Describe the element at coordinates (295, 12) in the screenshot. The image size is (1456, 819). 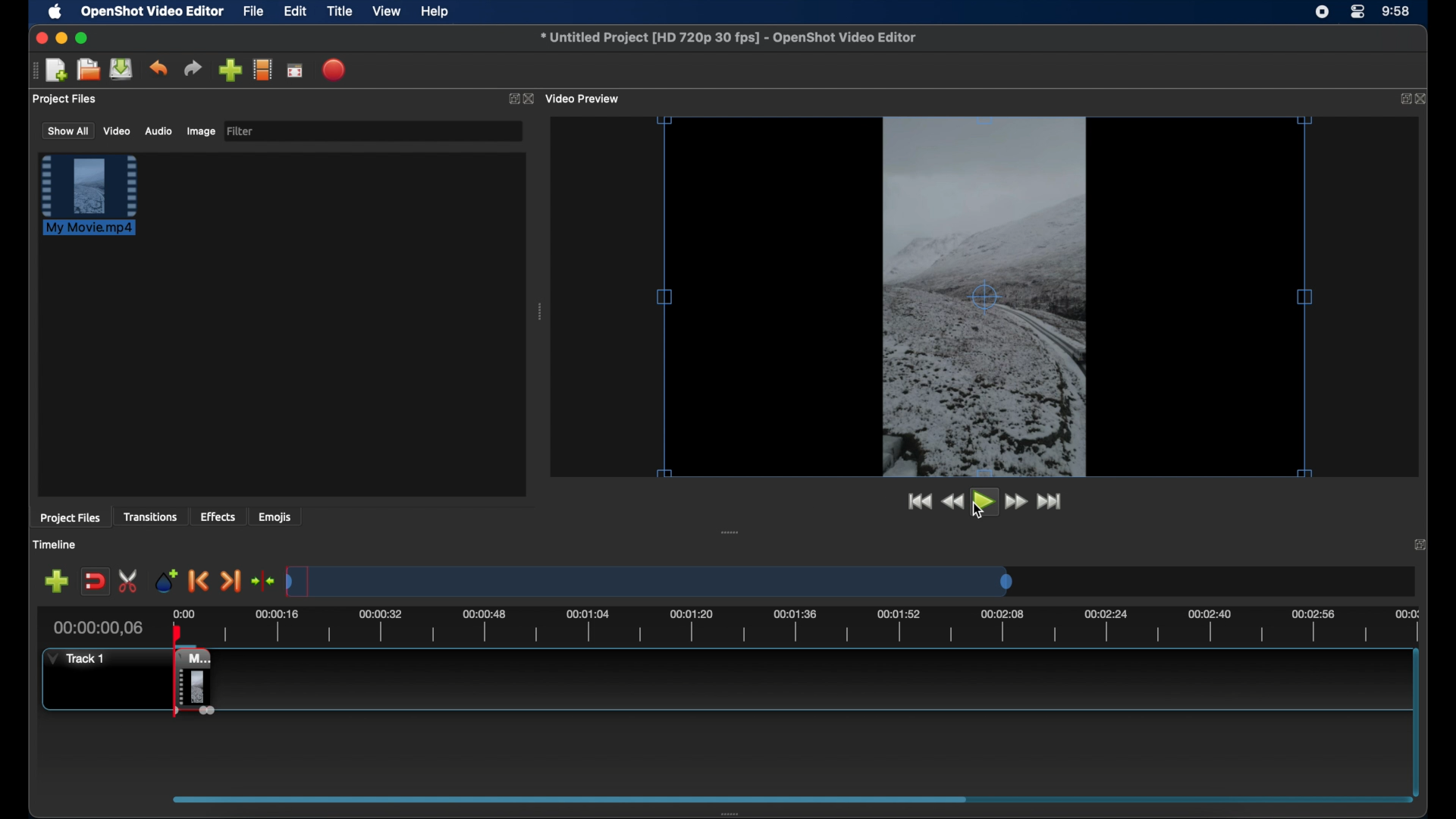
I see `edit` at that location.